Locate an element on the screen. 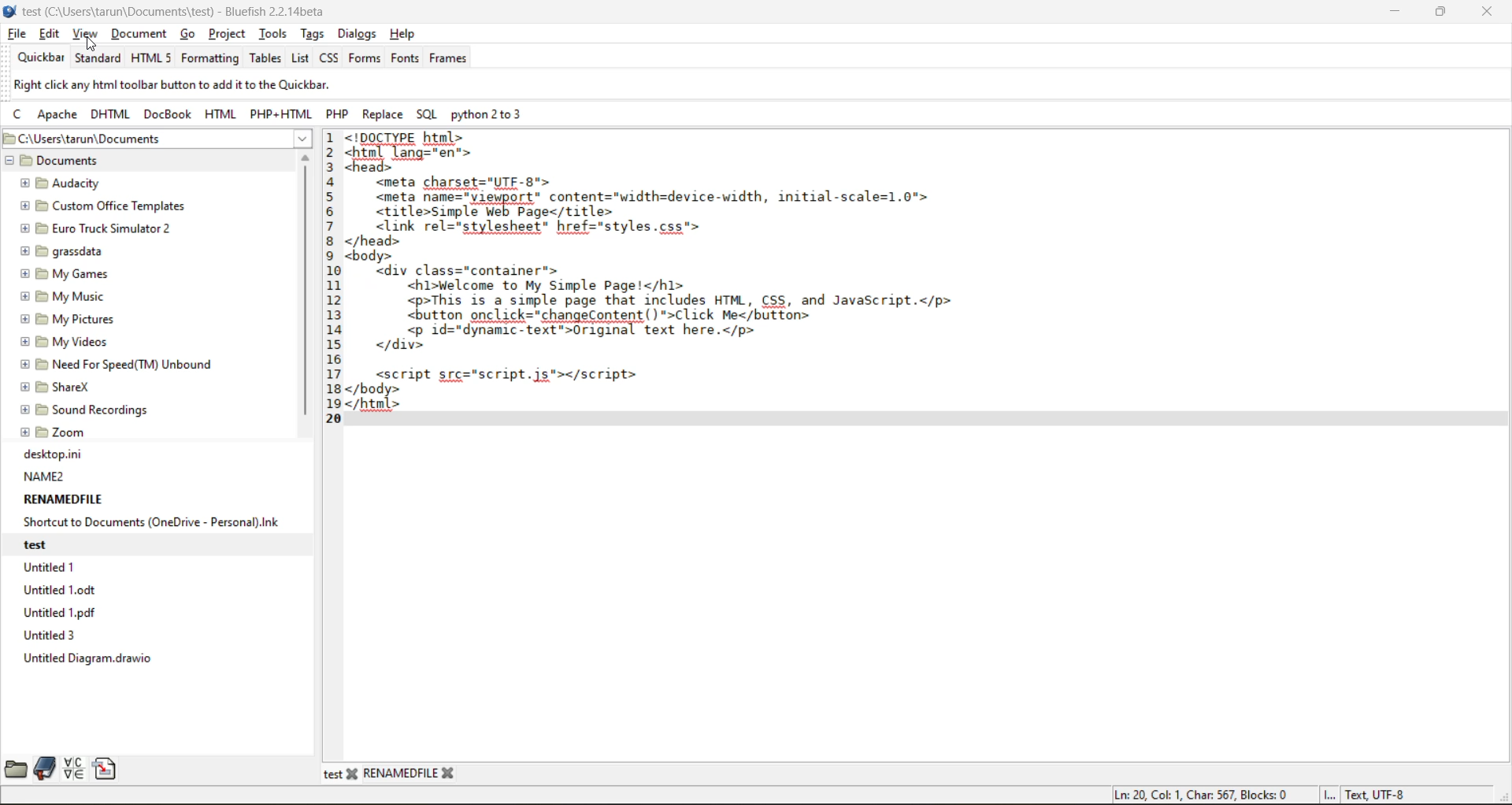 This screenshot has height=805, width=1512. view is located at coordinates (83, 35).